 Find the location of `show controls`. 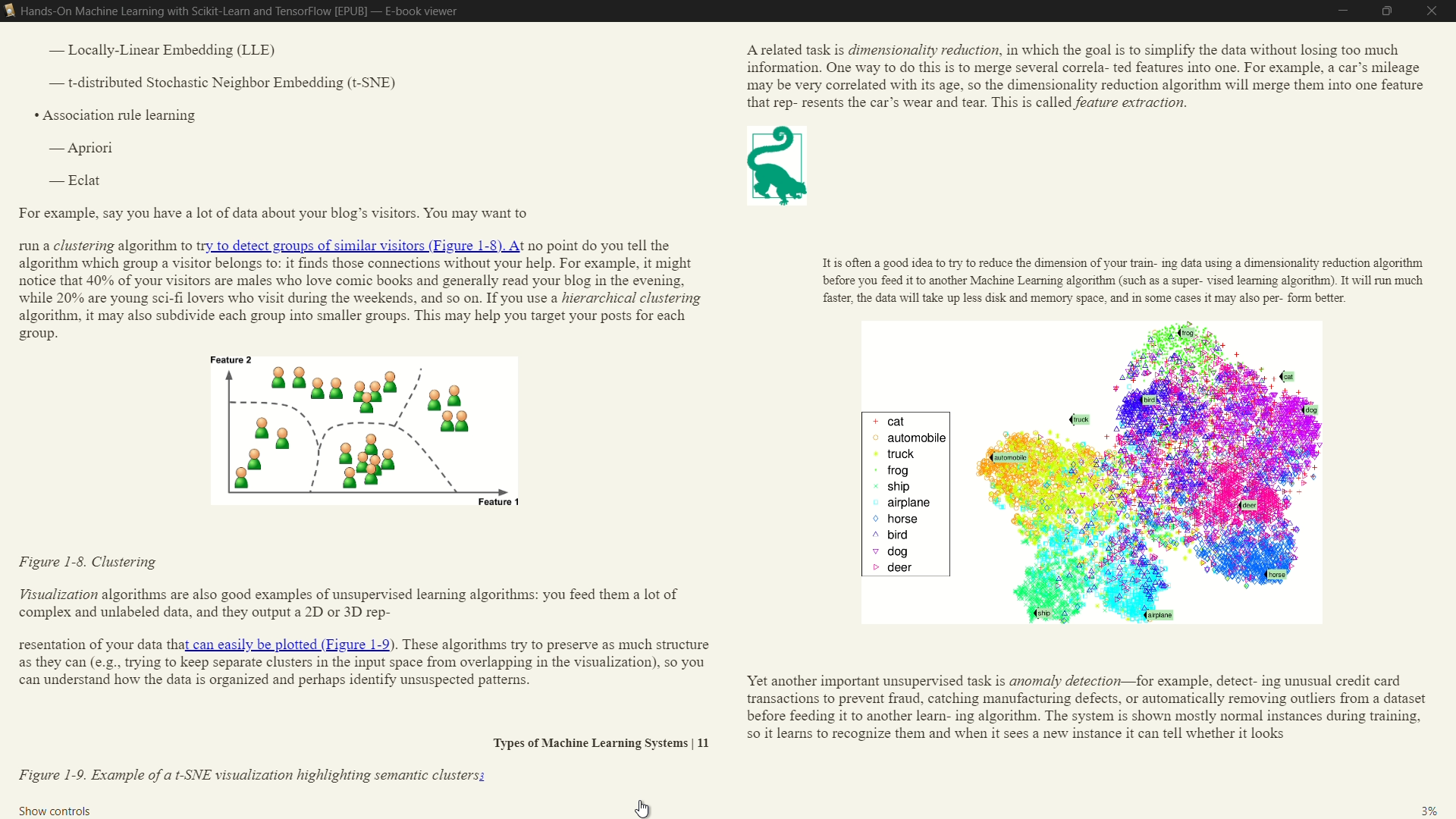

show controls is located at coordinates (54, 811).